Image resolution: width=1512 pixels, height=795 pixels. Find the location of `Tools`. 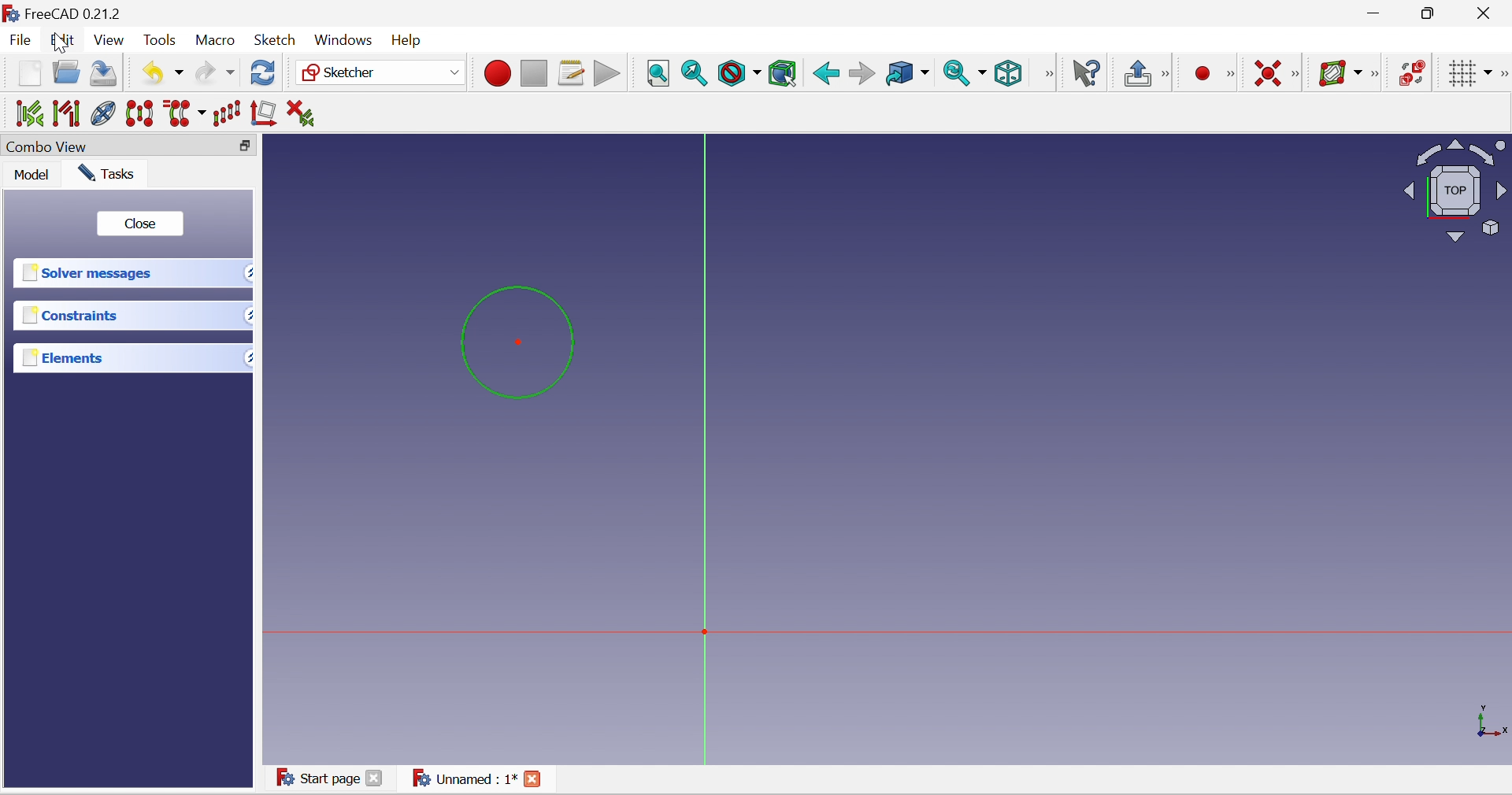

Tools is located at coordinates (163, 39).